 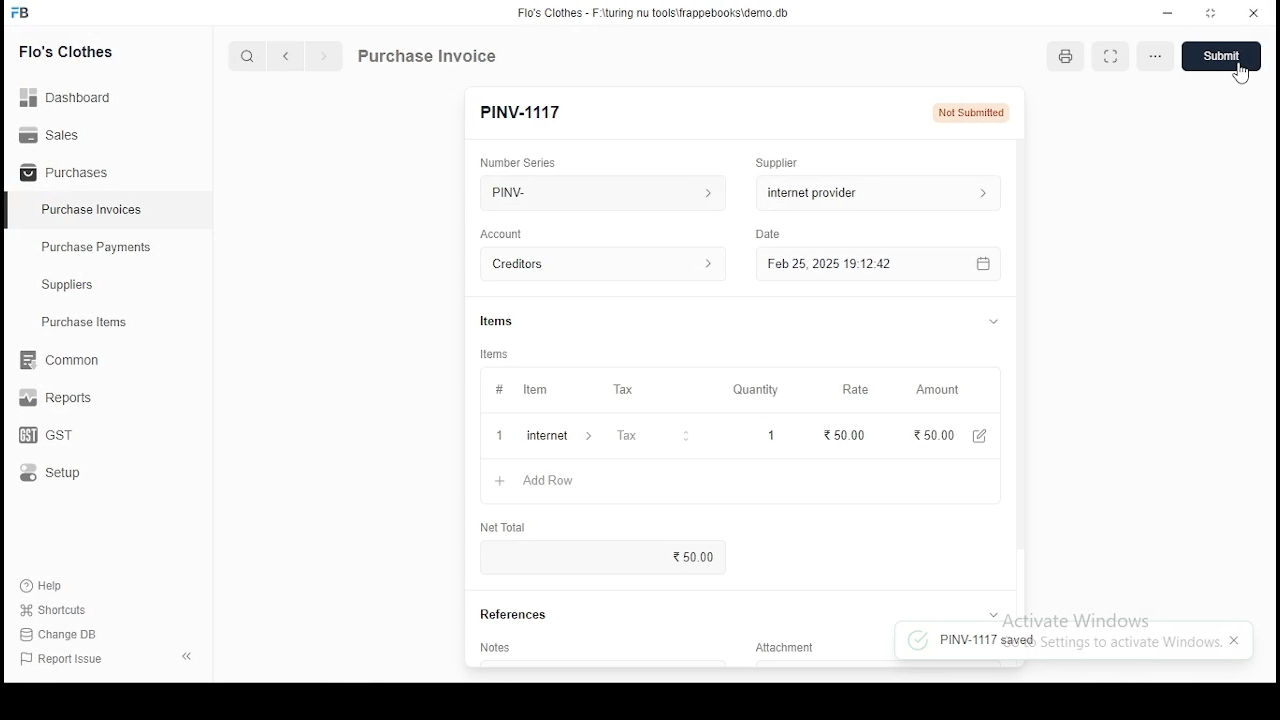 I want to click on notes, so click(x=498, y=647).